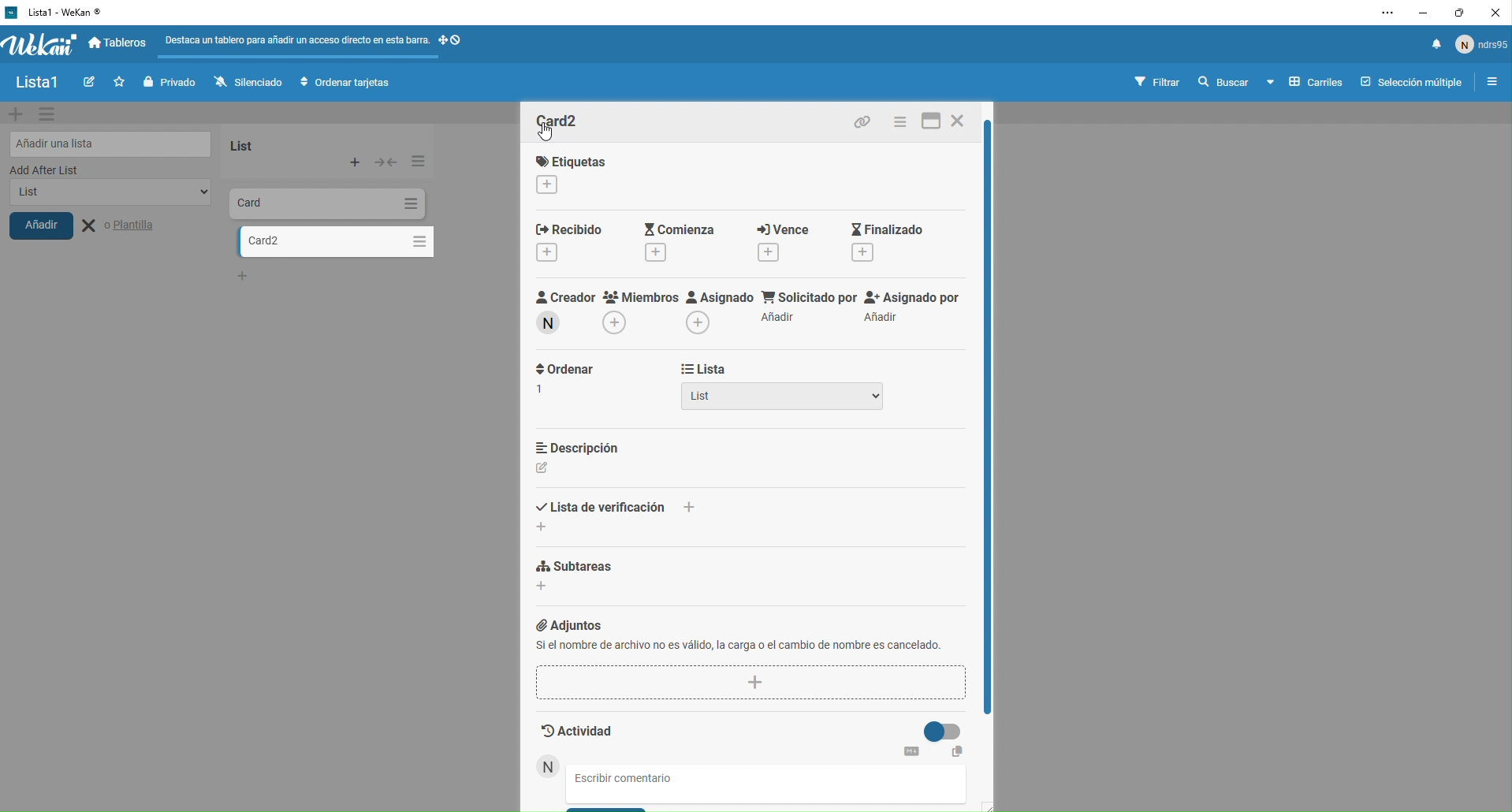 The image size is (1512, 812). What do you see at coordinates (867, 121) in the screenshot?
I see `link` at bounding box center [867, 121].